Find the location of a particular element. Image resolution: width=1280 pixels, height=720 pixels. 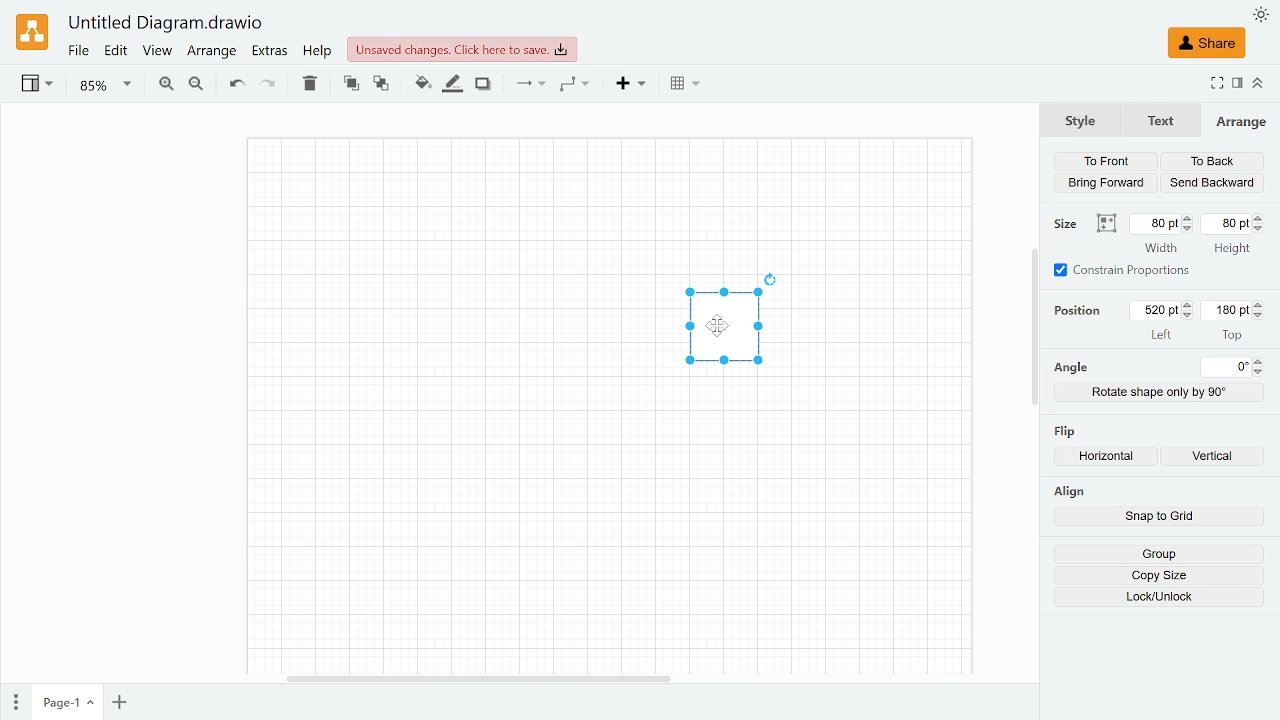

Edit is located at coordinates (117, 51).